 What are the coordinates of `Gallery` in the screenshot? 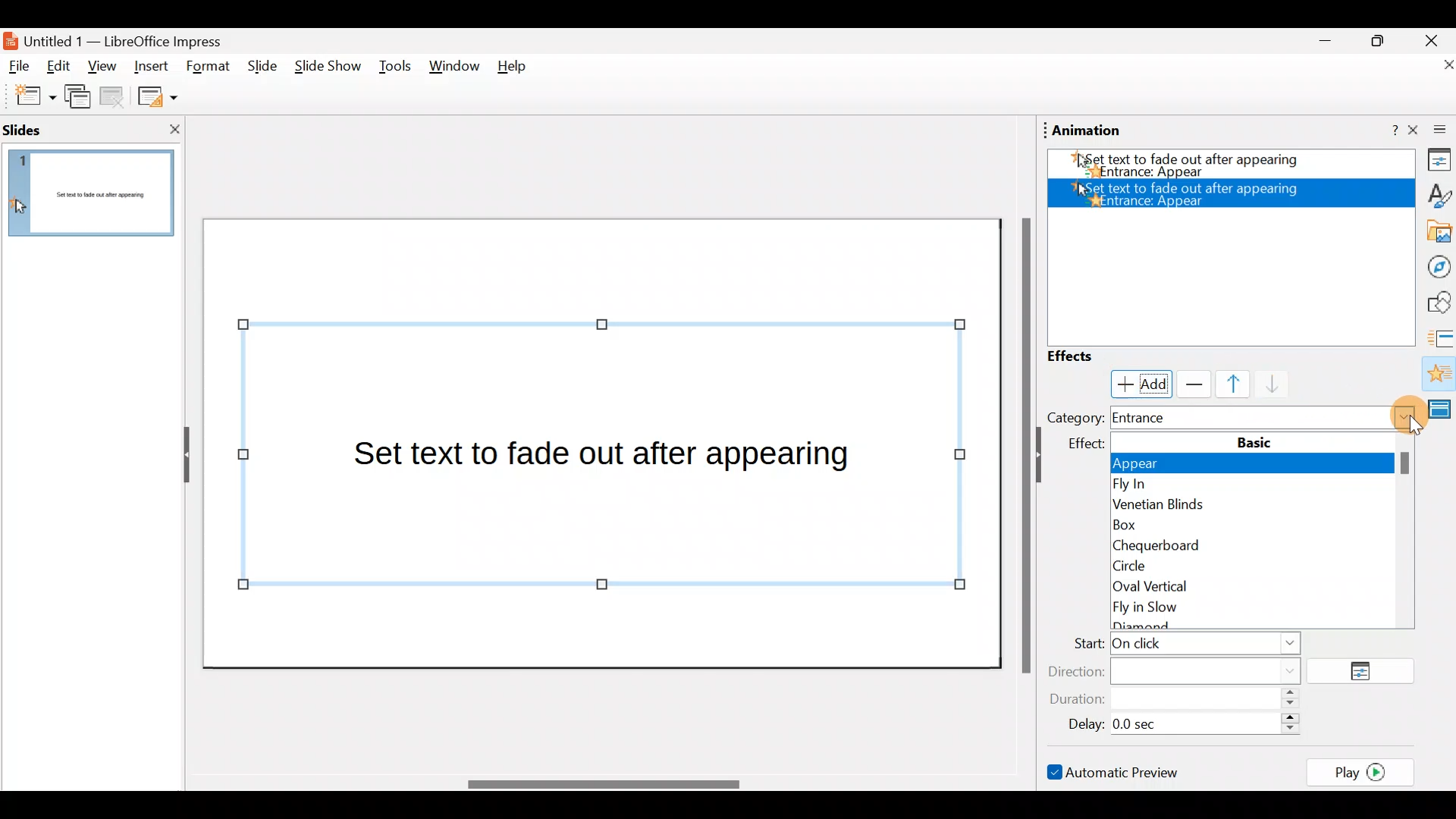 It's located at (1436, 232).